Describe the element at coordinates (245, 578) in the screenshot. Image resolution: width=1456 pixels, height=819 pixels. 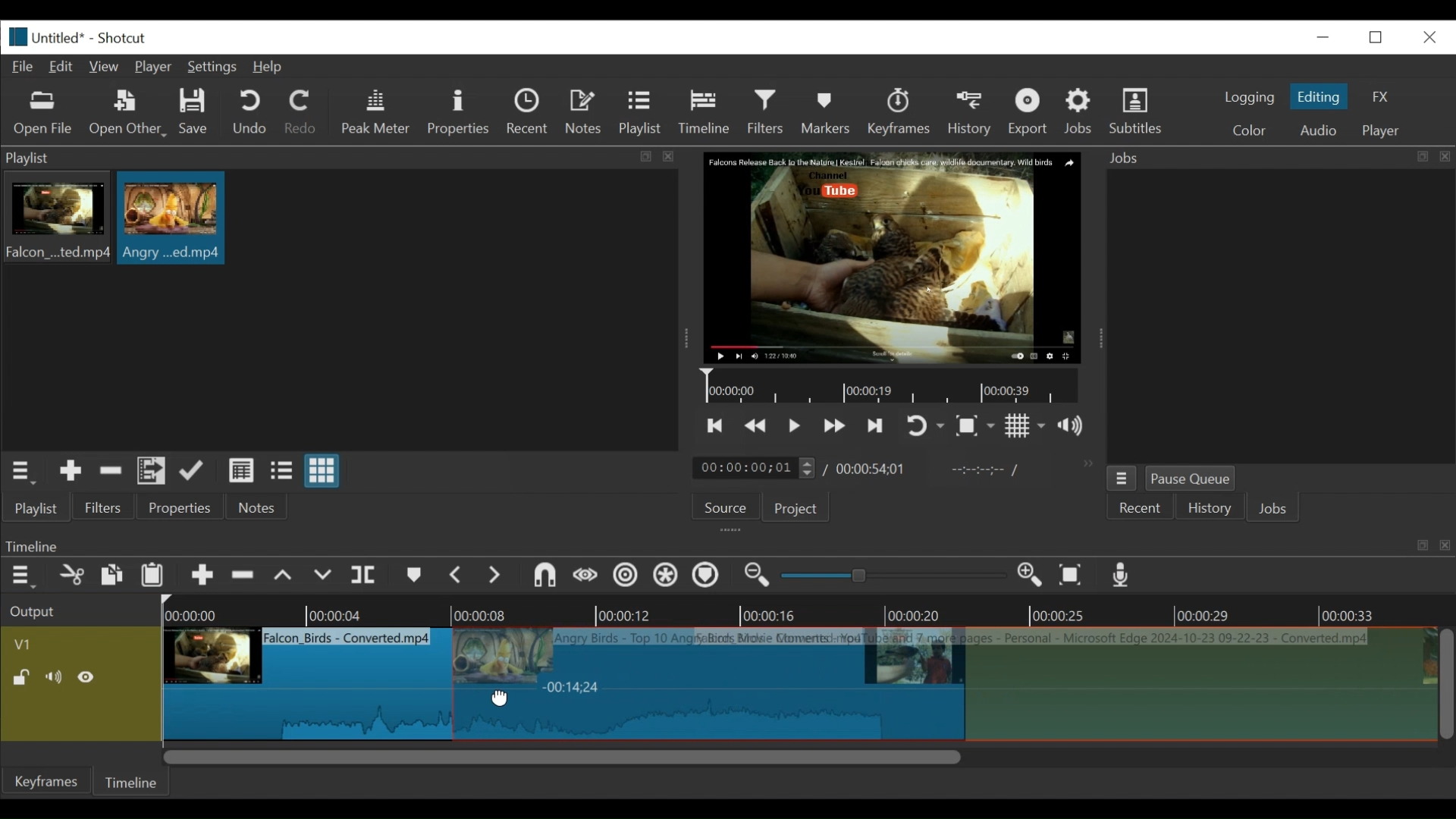
I see `Remove cut` at that location.